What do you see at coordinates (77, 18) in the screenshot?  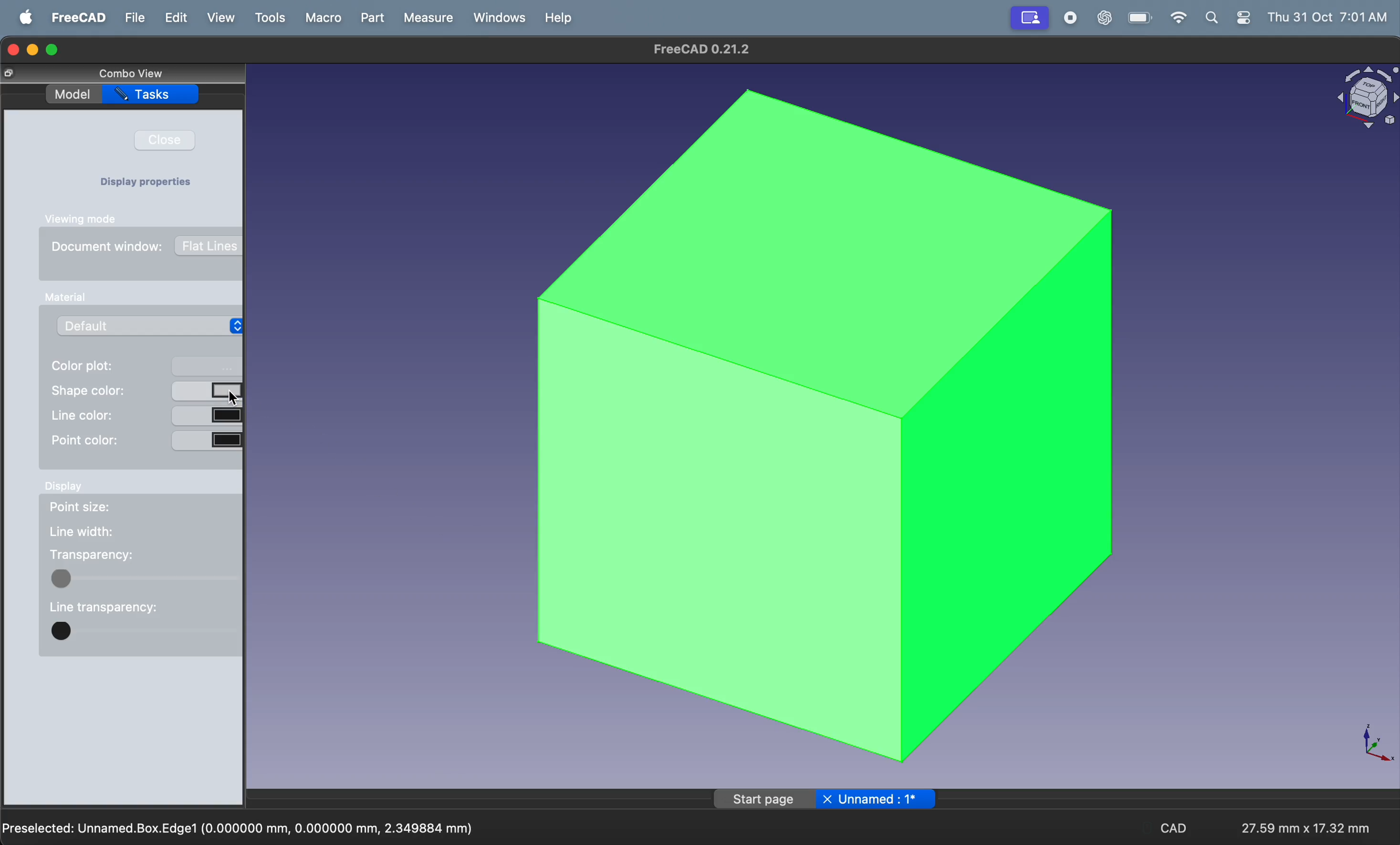 I see `freecad` at bounding box center [77, 18].